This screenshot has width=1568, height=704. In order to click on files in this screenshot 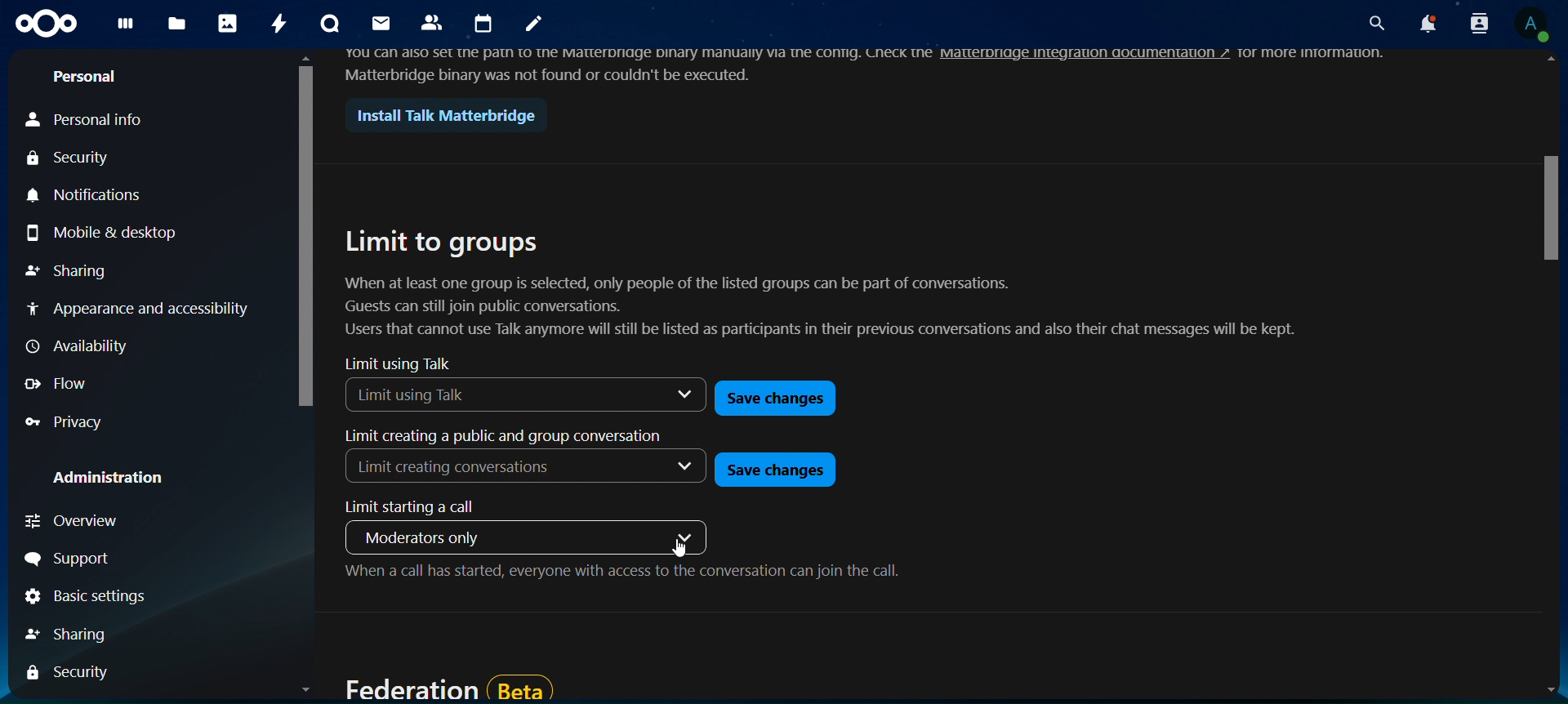, I will do `click(177, 21)`.